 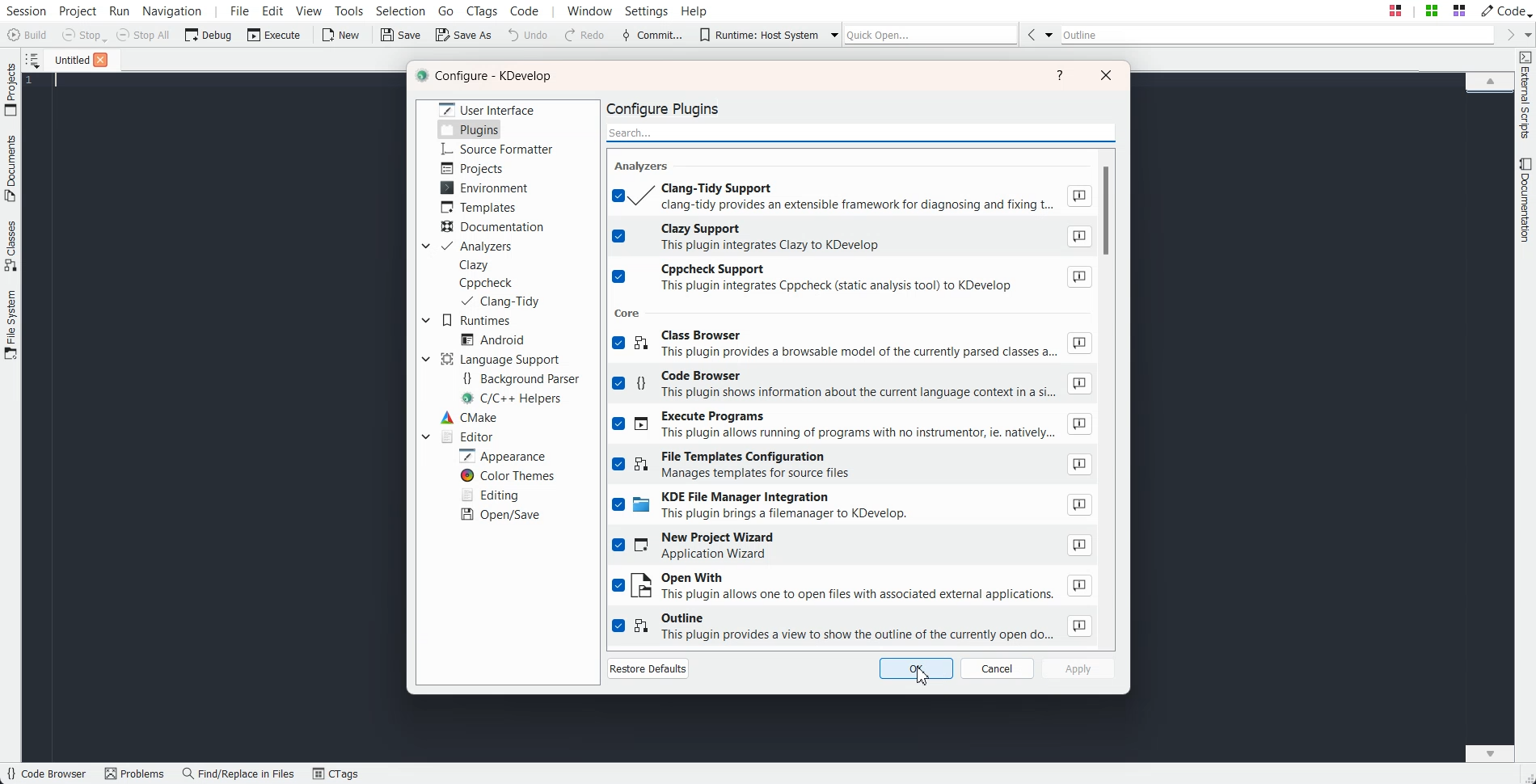 I want to click on File Overview, so click(x=1489, y=95).